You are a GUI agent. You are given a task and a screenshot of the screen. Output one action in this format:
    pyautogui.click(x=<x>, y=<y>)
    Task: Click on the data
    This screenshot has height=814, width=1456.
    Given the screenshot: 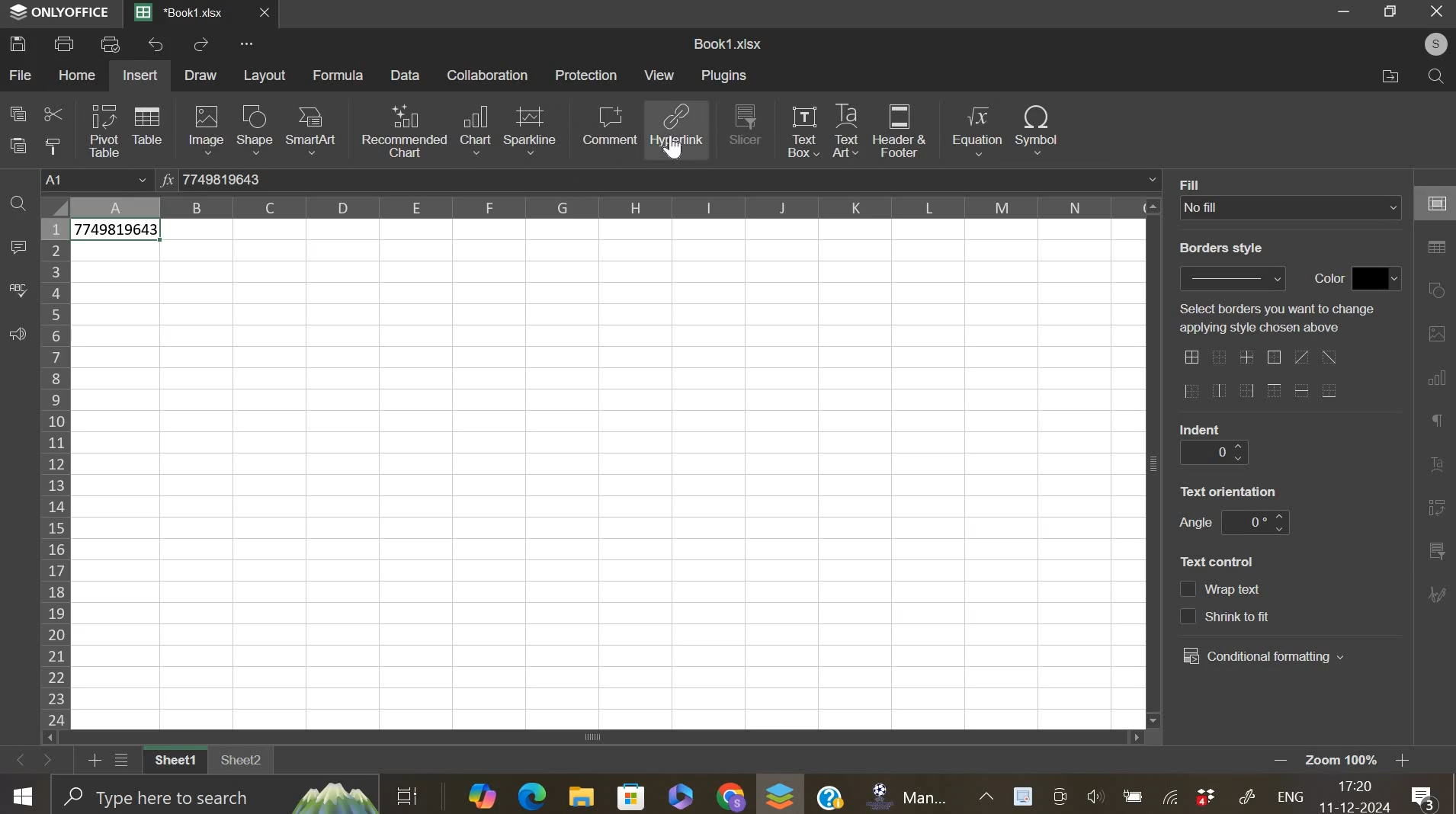 What is the action you would take?
    pyautogui.click(x=118, y=232)
    